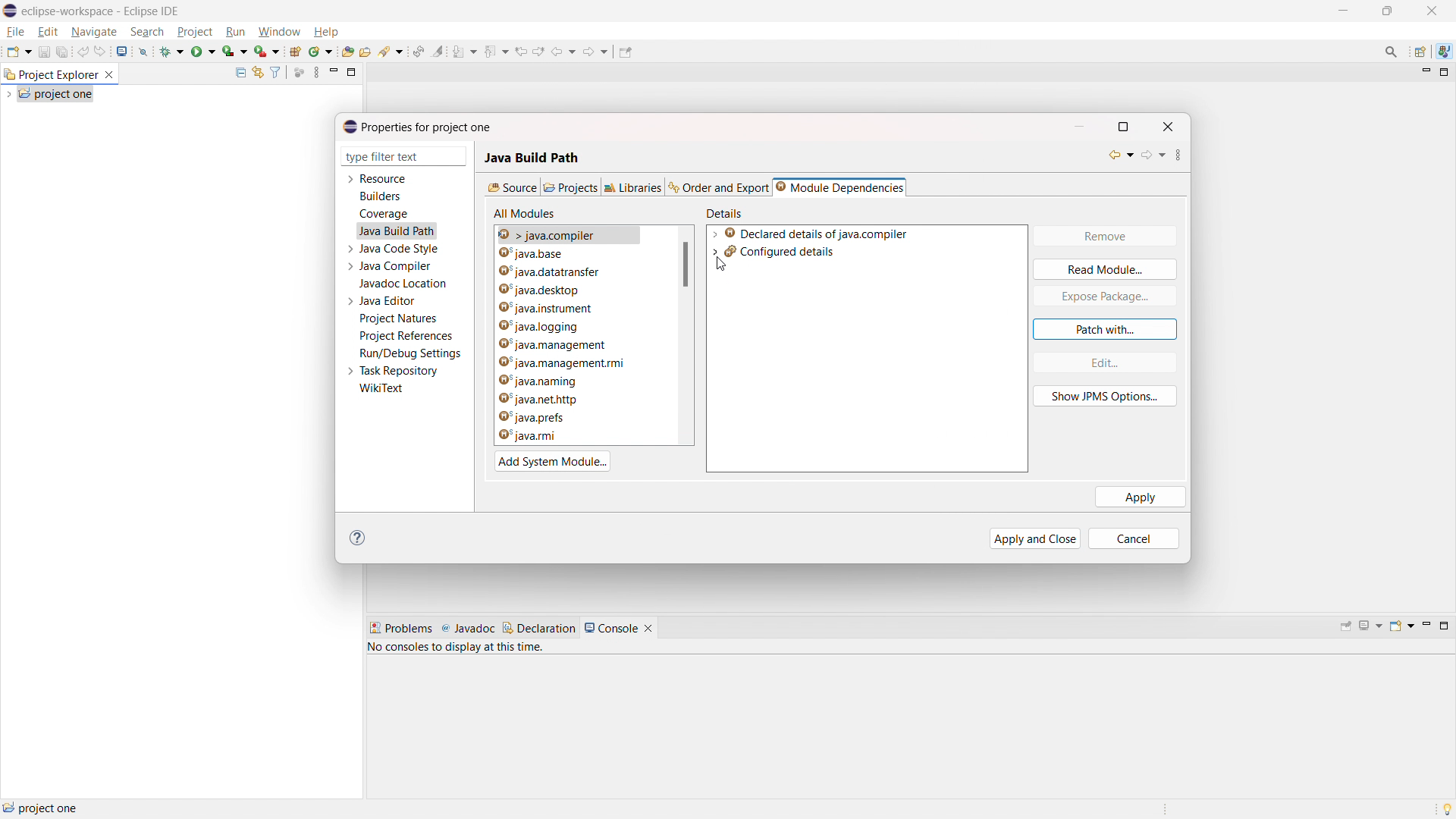 This screenshot has height=819, width=1456. What do you see at coordinates (568, 365) in the screenshot?
I see `java.management.rmi` at bounding box center [568, 365].